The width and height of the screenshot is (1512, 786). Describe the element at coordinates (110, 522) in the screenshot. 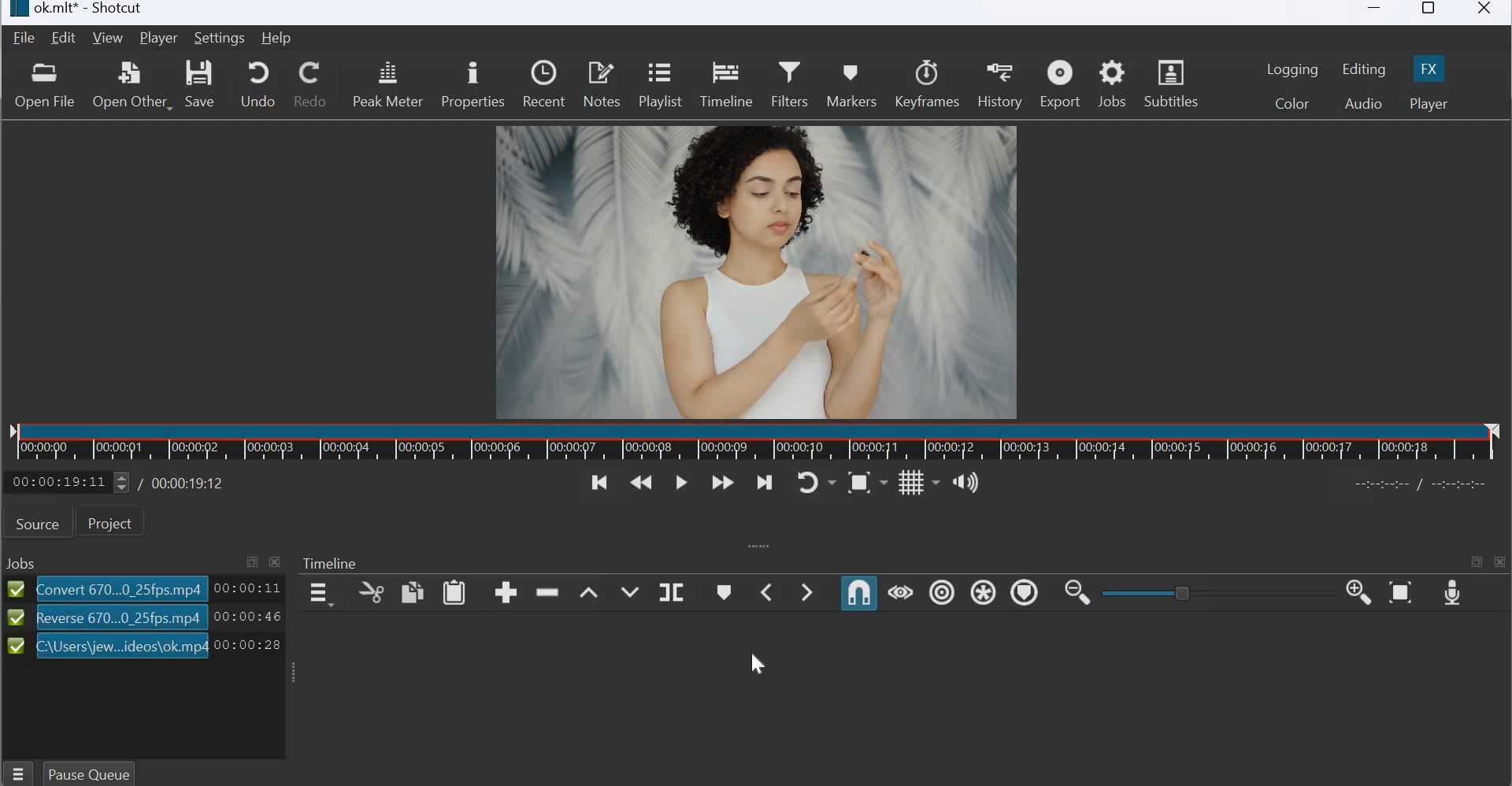

I see `Project` at that location.